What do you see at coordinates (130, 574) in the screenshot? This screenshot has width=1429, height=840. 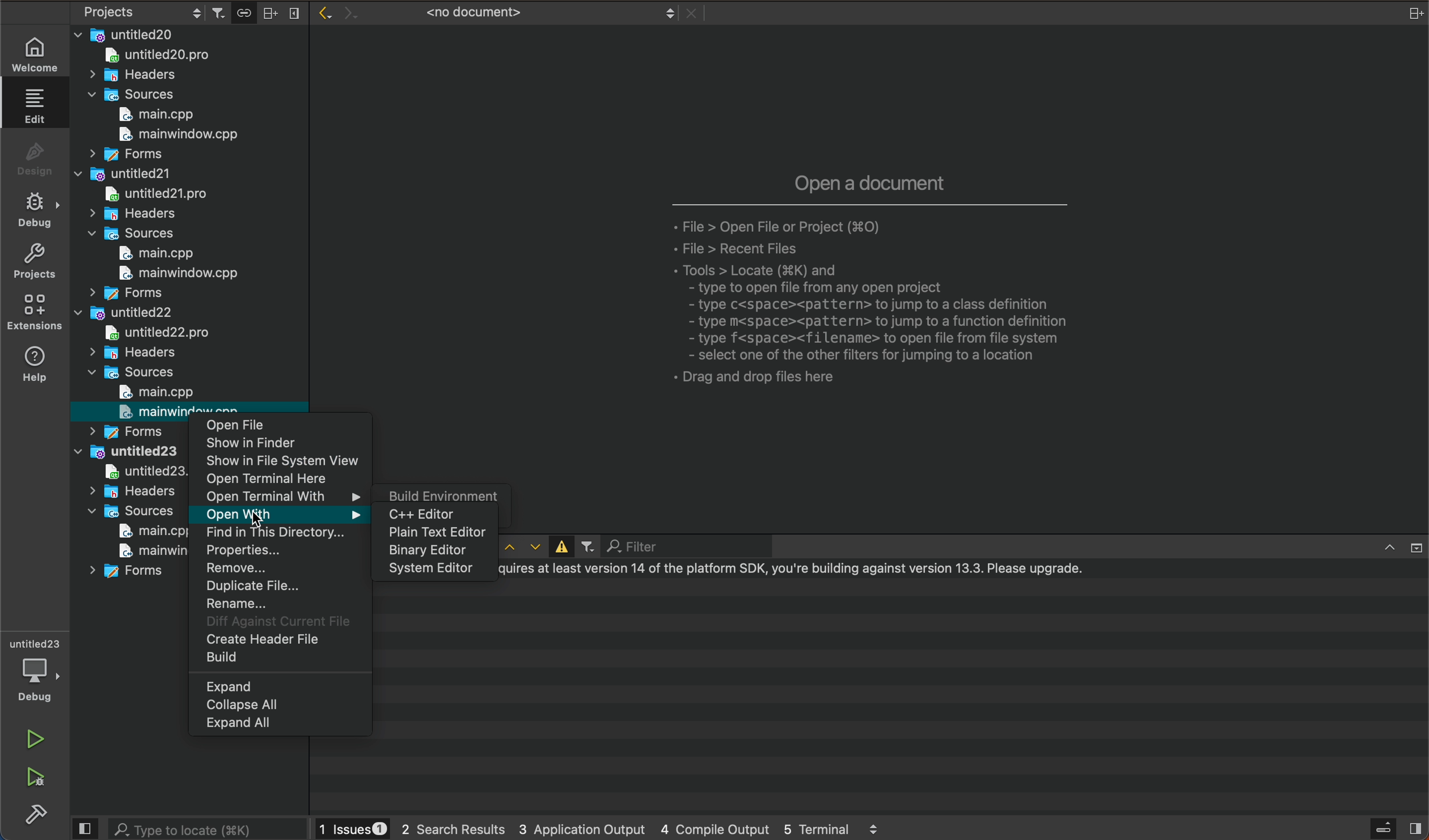 I see `forms` at bounding box center [130, 574].